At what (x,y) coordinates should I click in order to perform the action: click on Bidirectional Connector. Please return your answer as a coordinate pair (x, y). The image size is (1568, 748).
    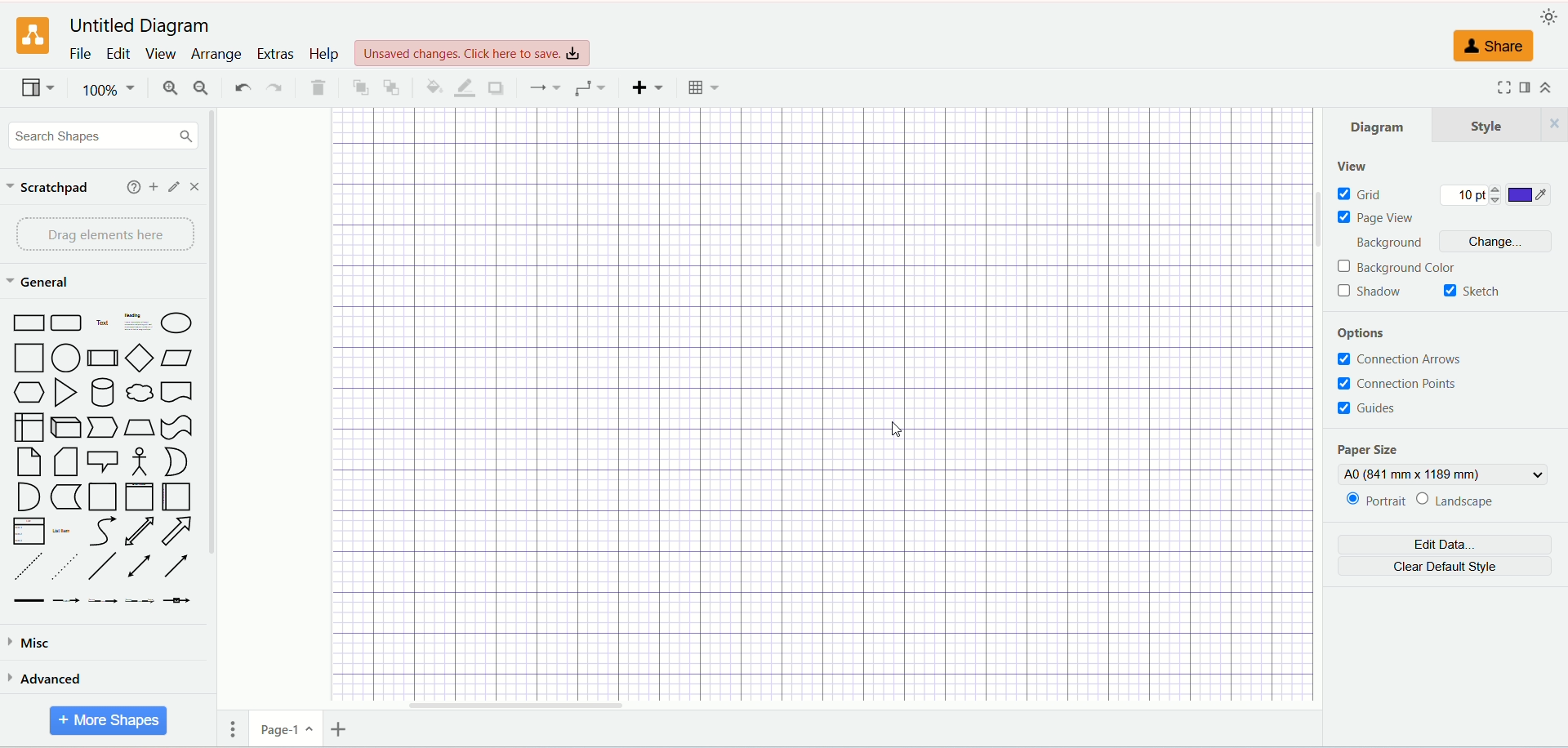
    Looking at the image, I should click on (143, 567).